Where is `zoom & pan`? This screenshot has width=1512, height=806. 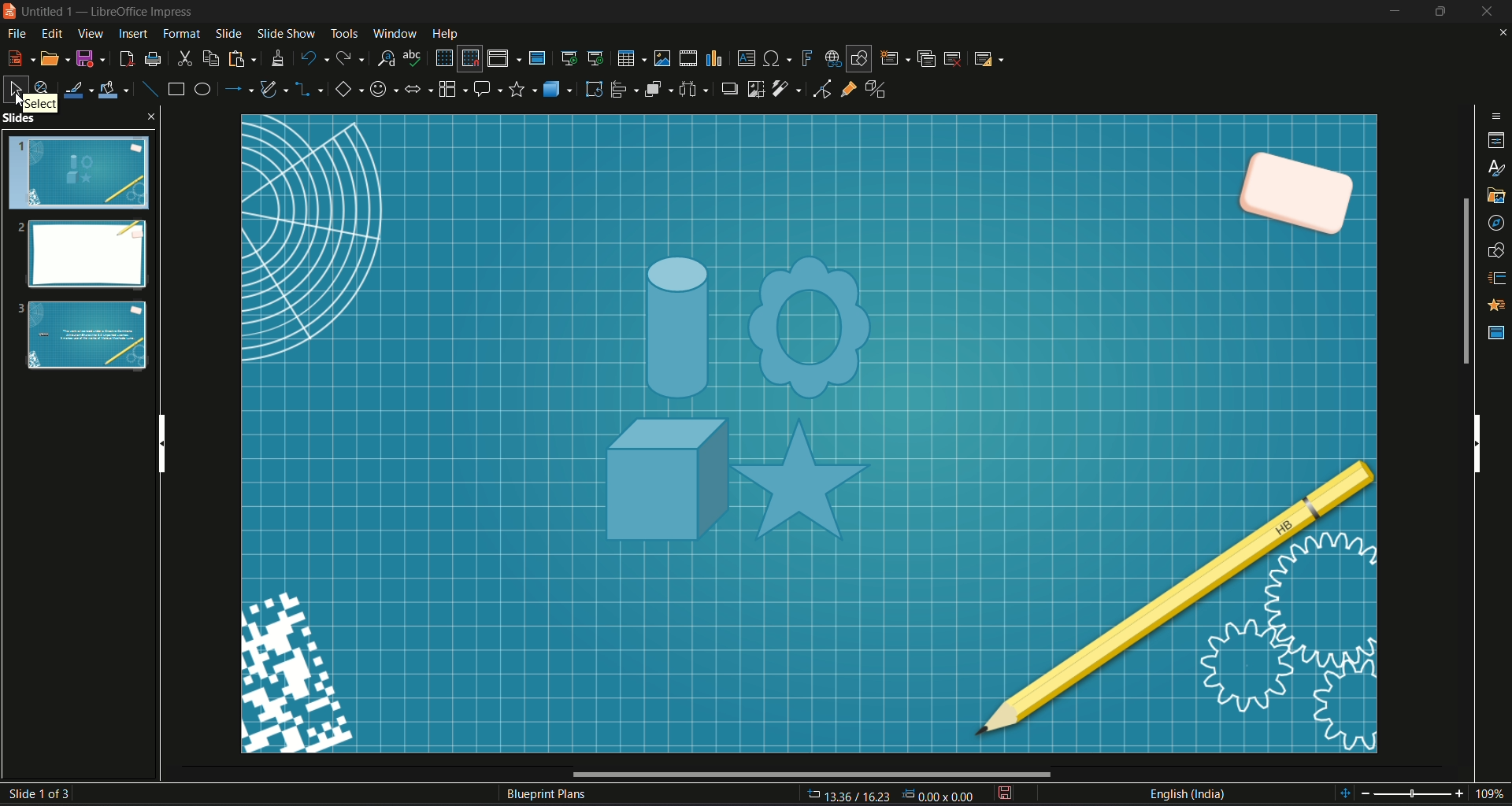 zoom & pan is located at coordinates (42, 87).